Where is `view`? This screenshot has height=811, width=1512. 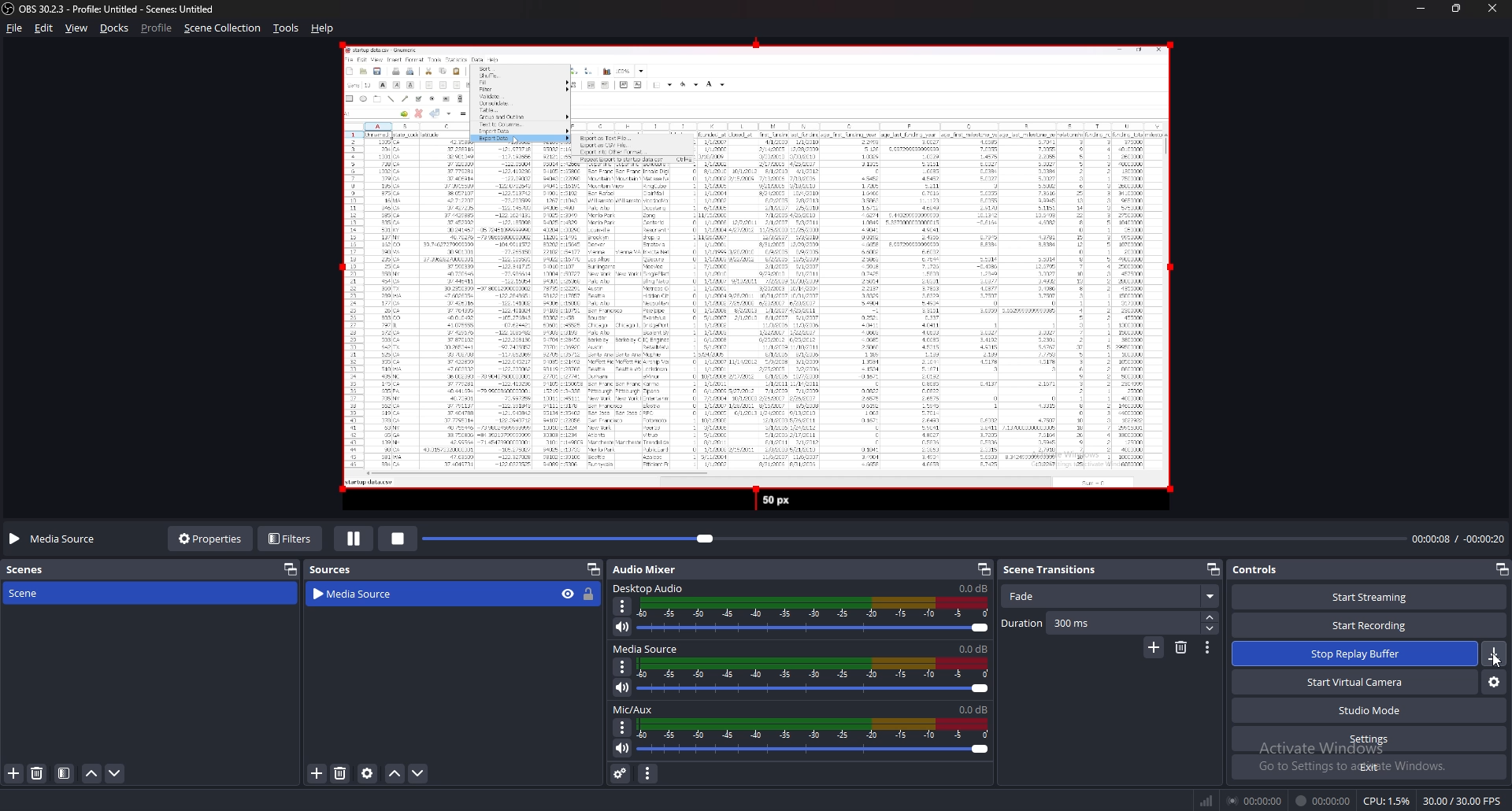
view is located at coordinates (77, 28).